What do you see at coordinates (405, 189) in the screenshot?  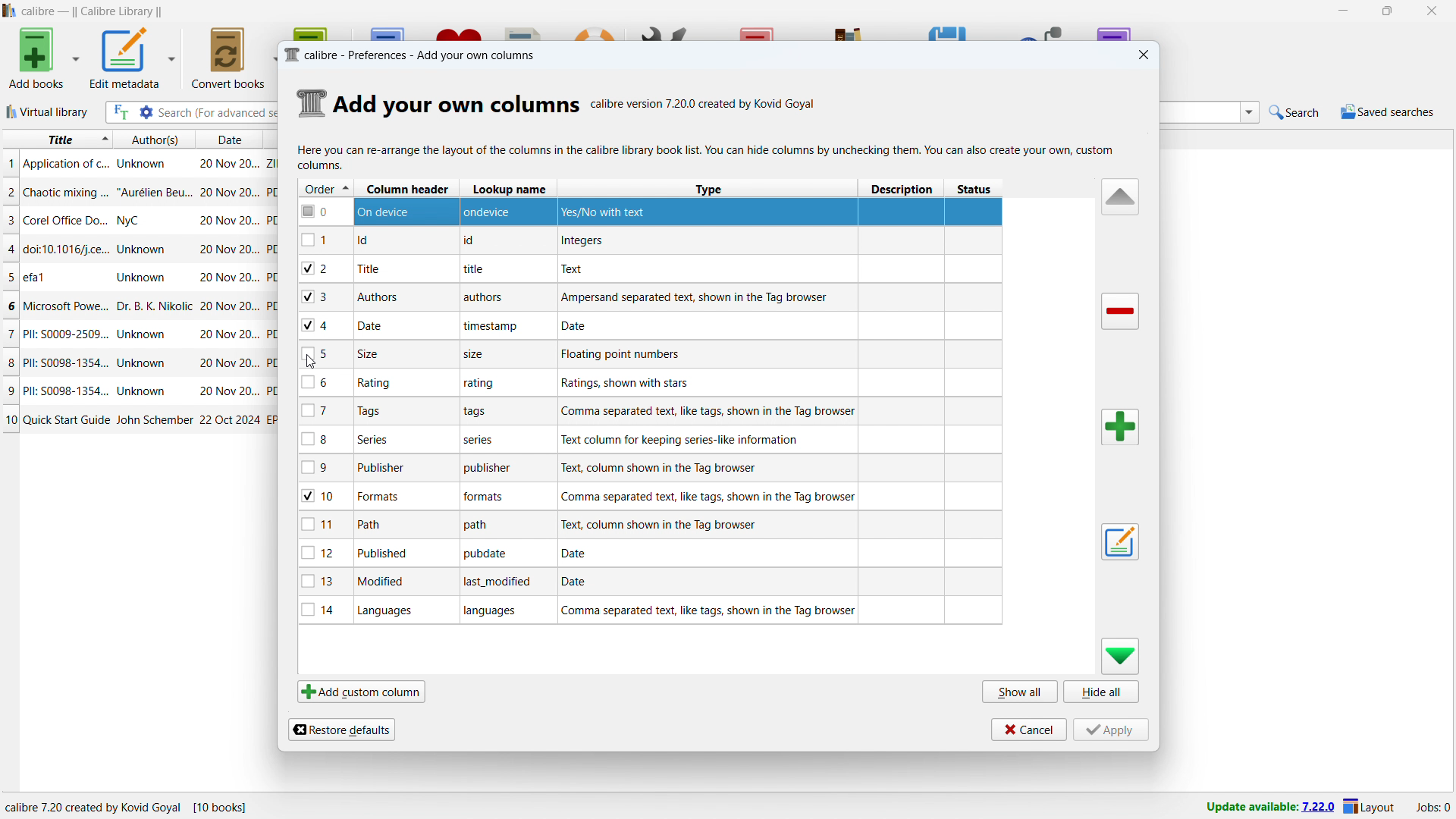 I see `column header` at bounding box center [405, 189].